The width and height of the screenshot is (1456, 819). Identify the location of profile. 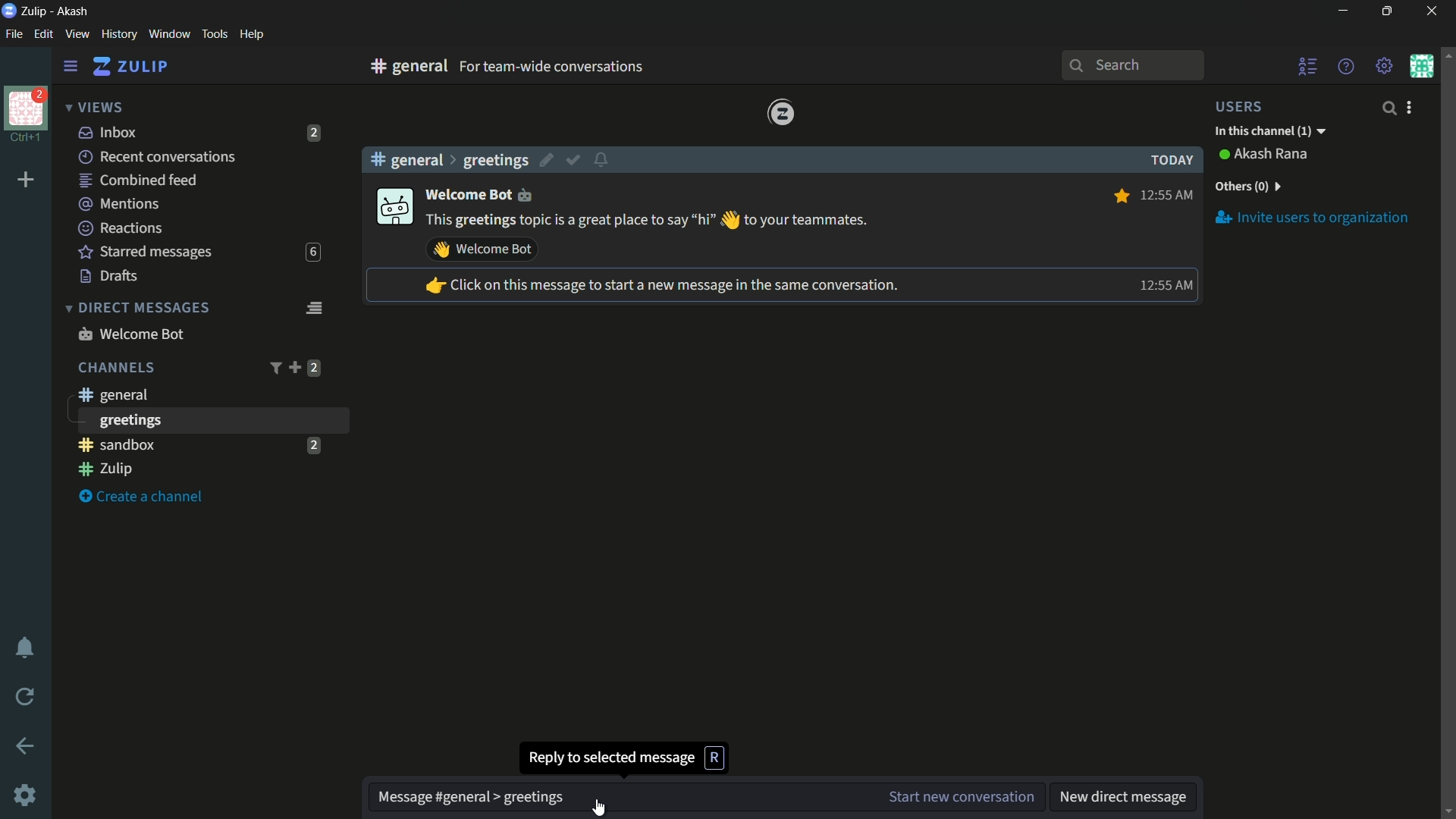
(26, 107).